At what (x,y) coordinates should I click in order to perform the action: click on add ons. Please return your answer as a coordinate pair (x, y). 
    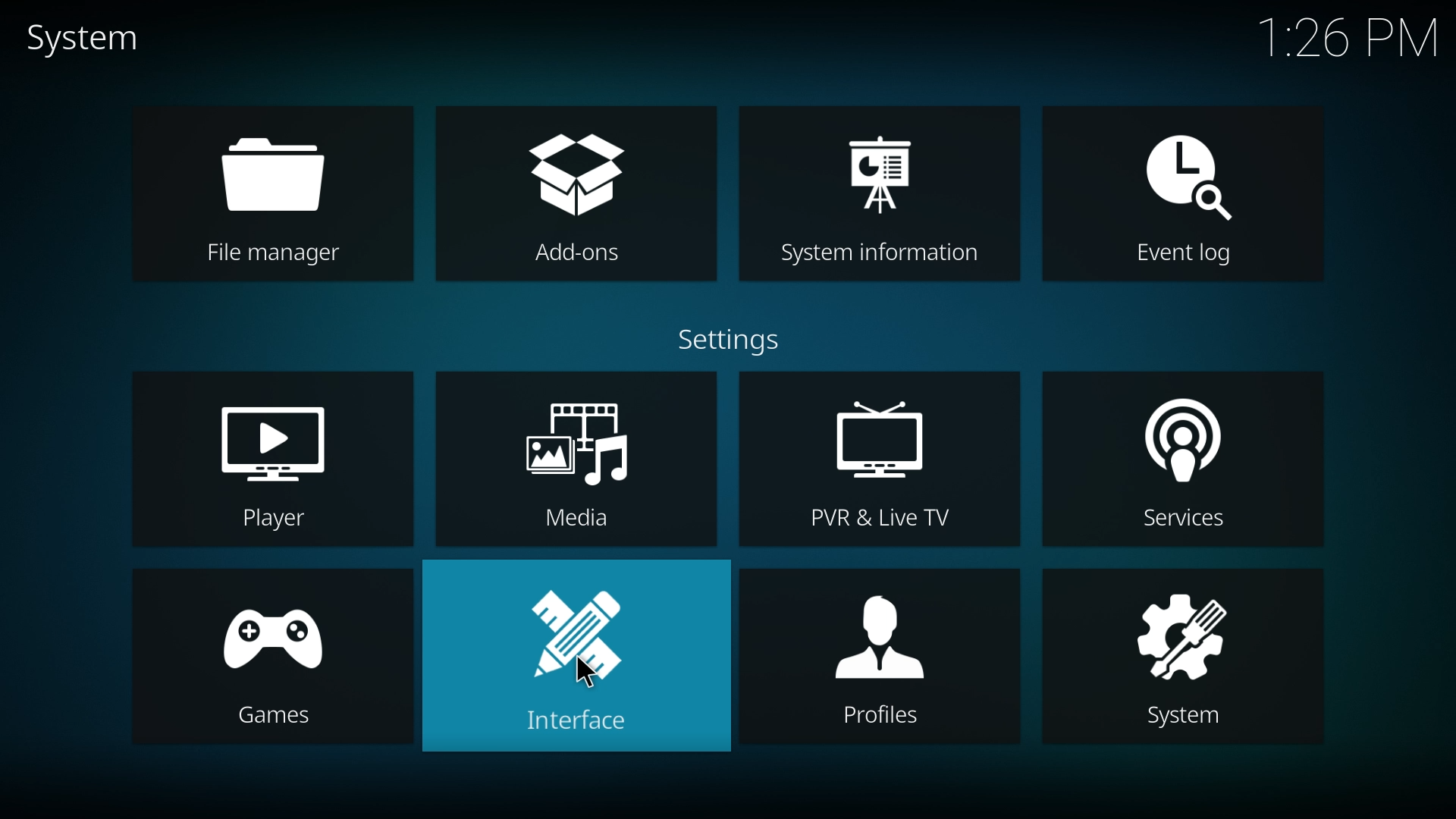
    Looking at the image, I should click on (579, 199).